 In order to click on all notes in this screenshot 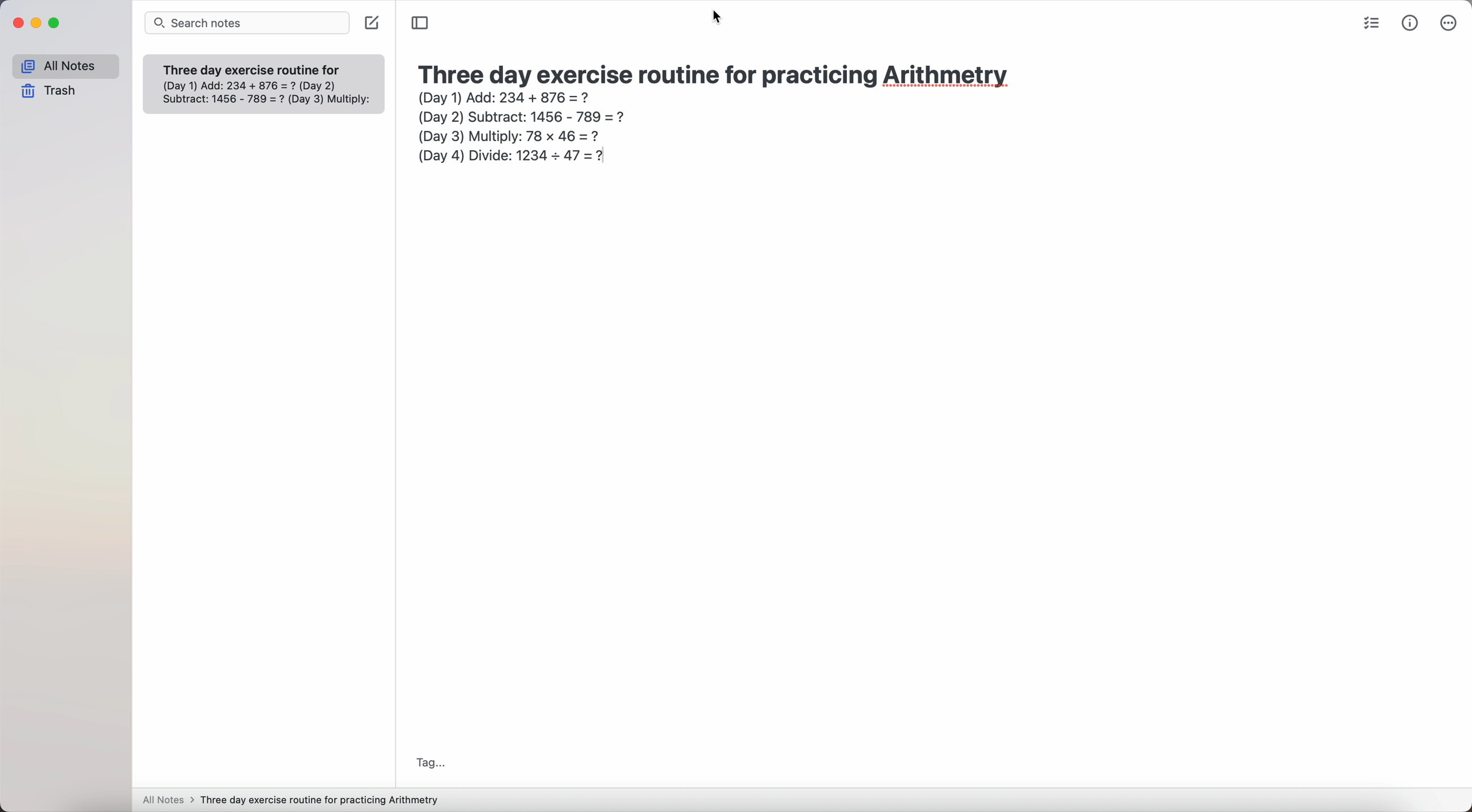, I will do `click(169, 799)`.